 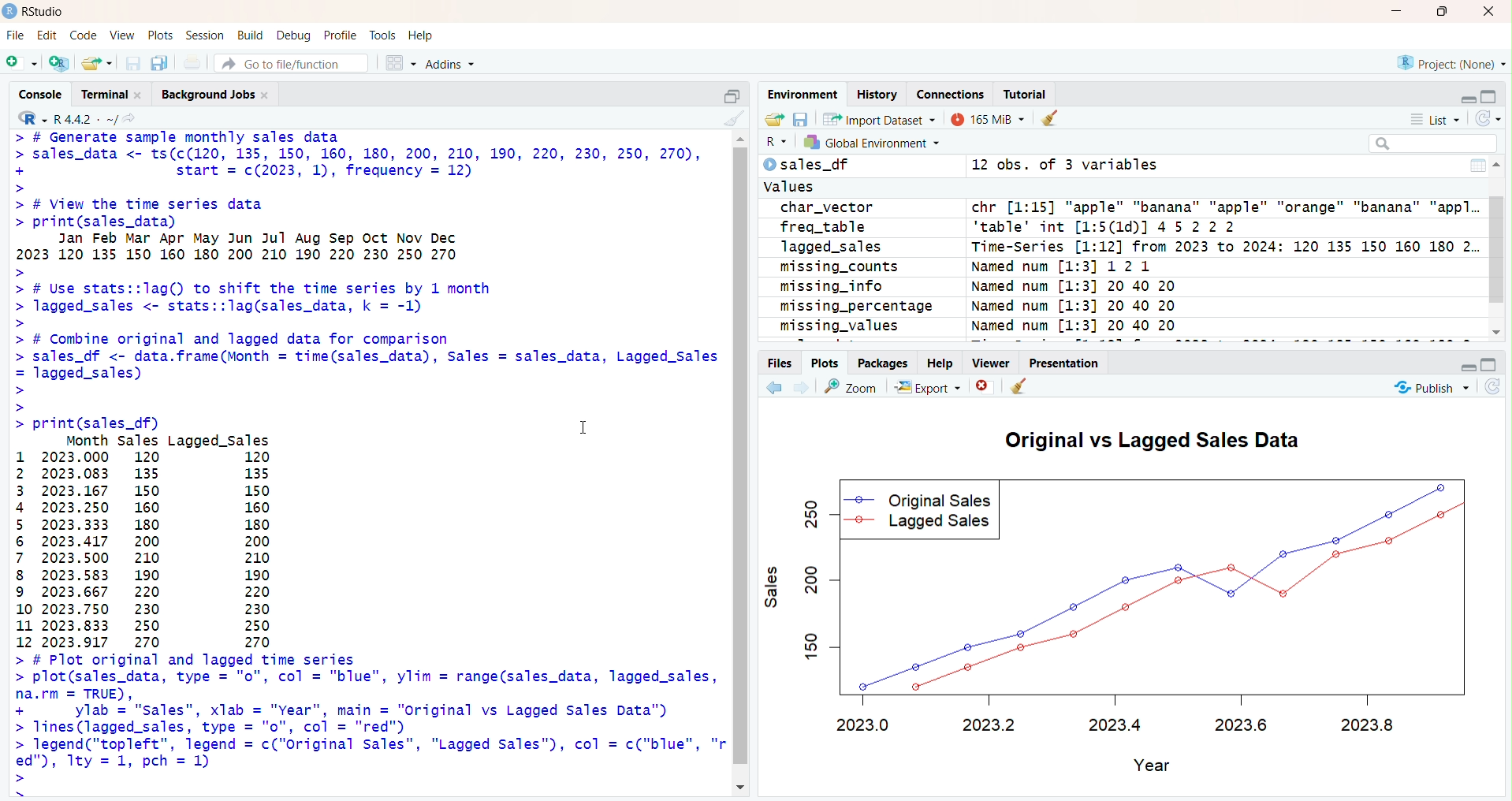 What do you see at coordinates (423, 35) in the screenshot?
I see `help` at bounding box center [423, 35].